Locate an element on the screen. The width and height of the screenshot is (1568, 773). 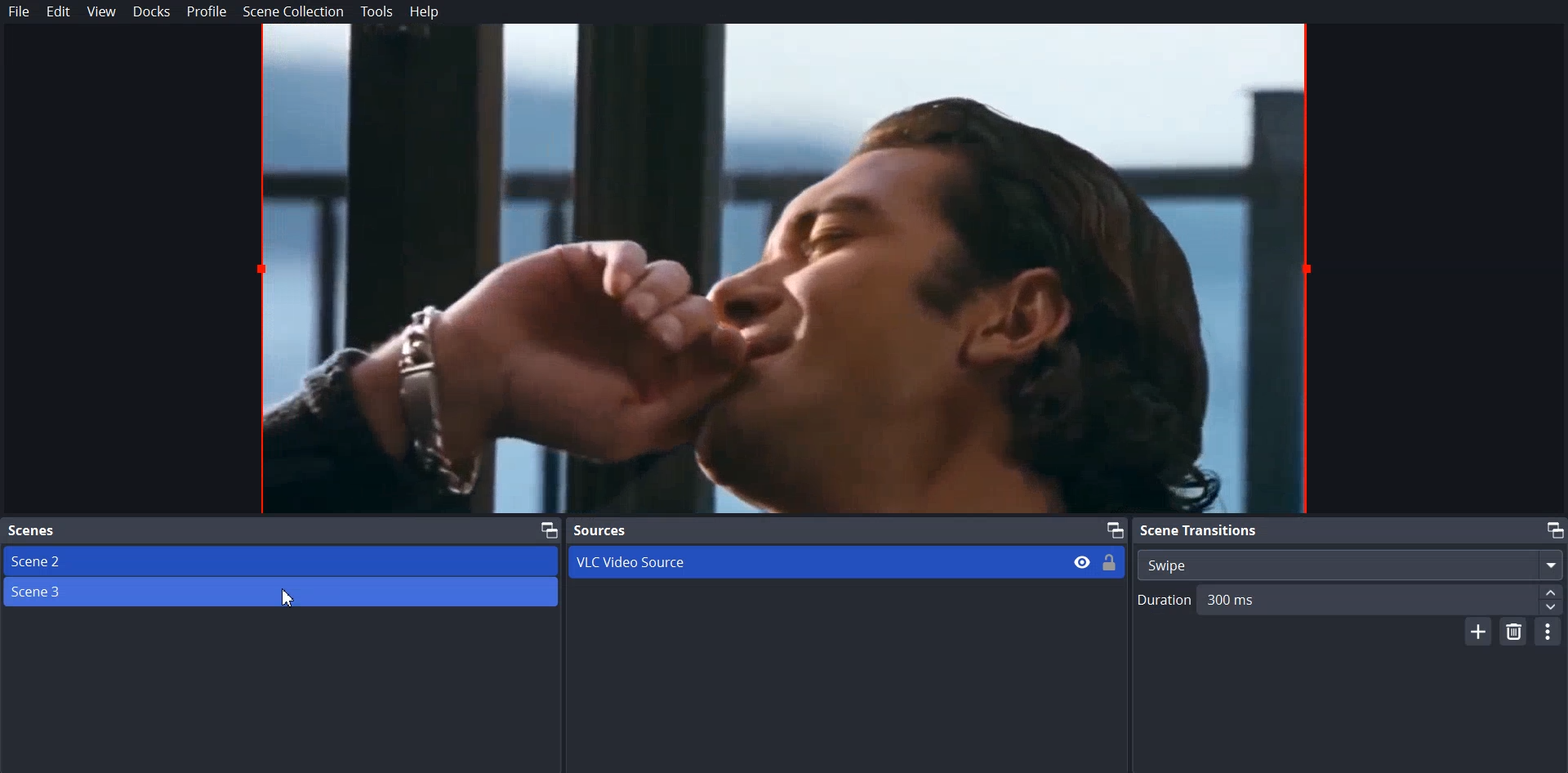
Scene 2 is located at coordinates (282, 561).